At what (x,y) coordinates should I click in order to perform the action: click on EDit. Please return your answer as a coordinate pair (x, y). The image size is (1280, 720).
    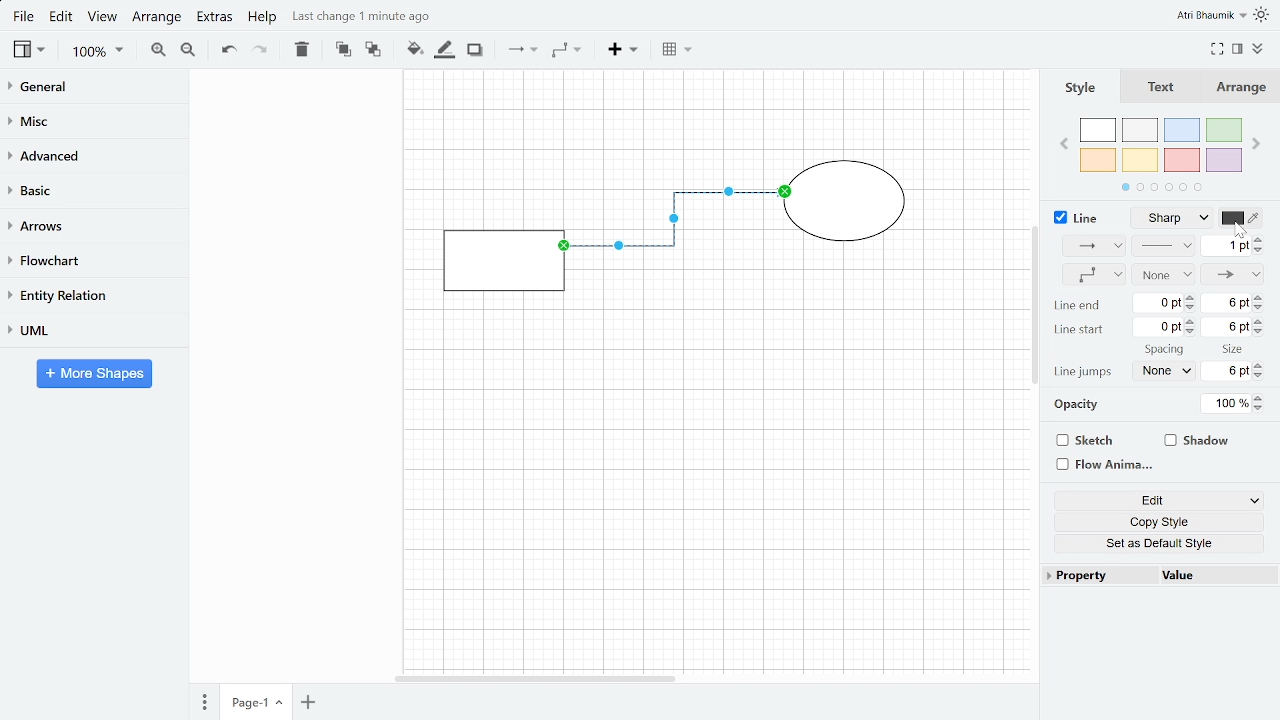
    Looking at the image, I should click on (62, 18).